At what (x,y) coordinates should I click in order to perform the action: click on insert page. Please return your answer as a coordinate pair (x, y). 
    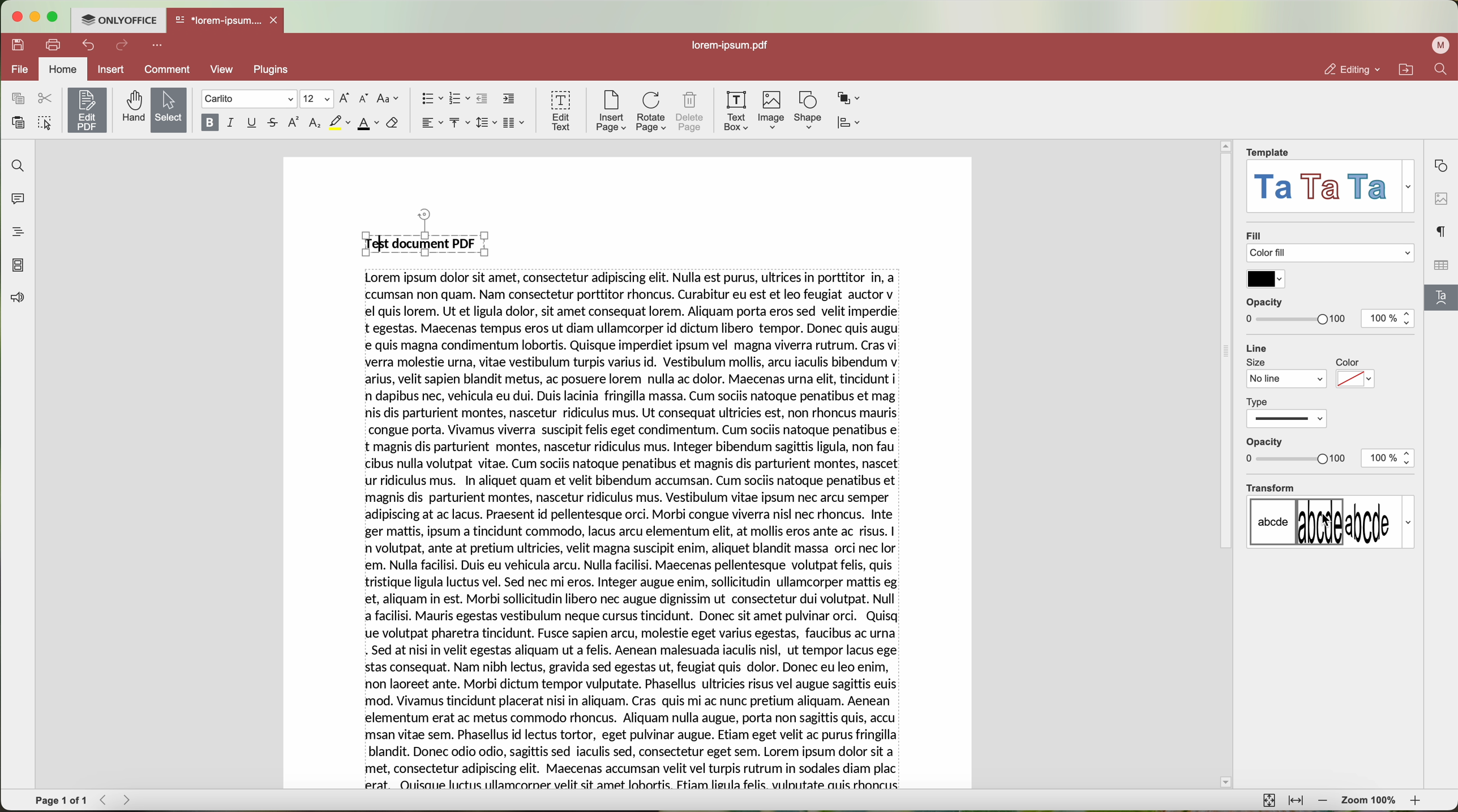
    Looking at the image, I should click on (610, 113).